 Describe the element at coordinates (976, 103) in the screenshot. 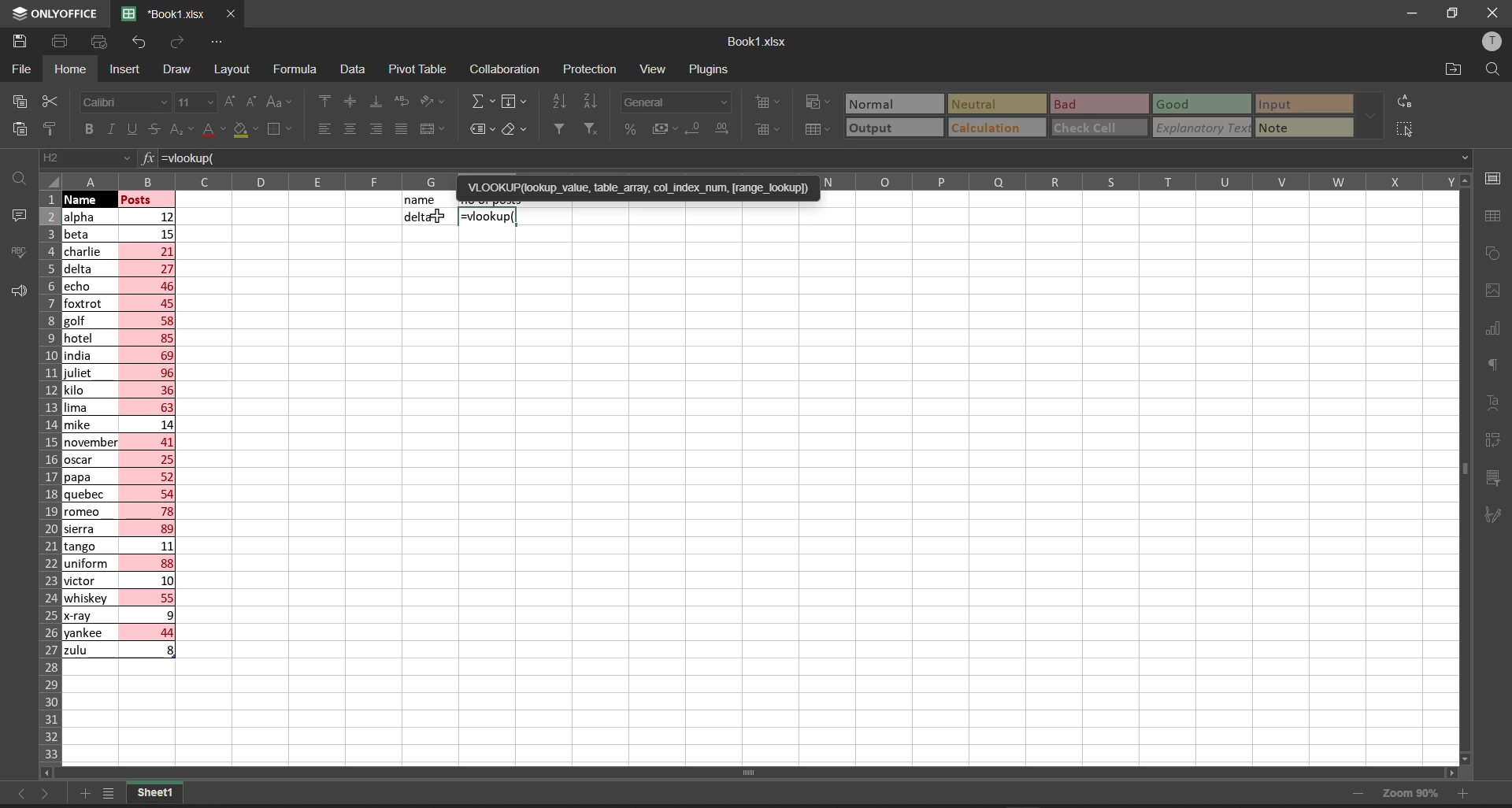

I see `Neutral` at that location.